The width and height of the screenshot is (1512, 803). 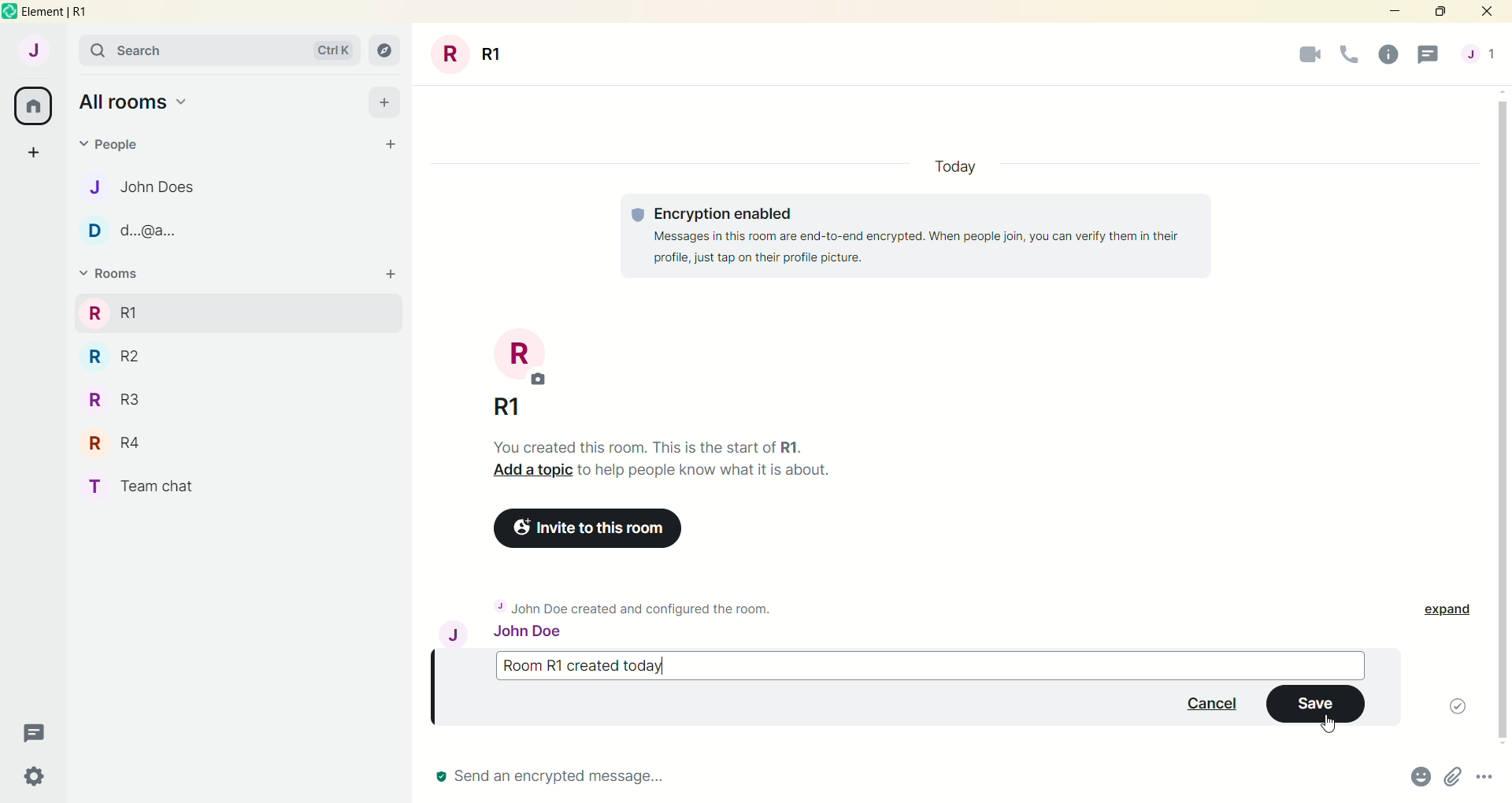 I want to click on to help people know what is about., so click(x=707, y=471).